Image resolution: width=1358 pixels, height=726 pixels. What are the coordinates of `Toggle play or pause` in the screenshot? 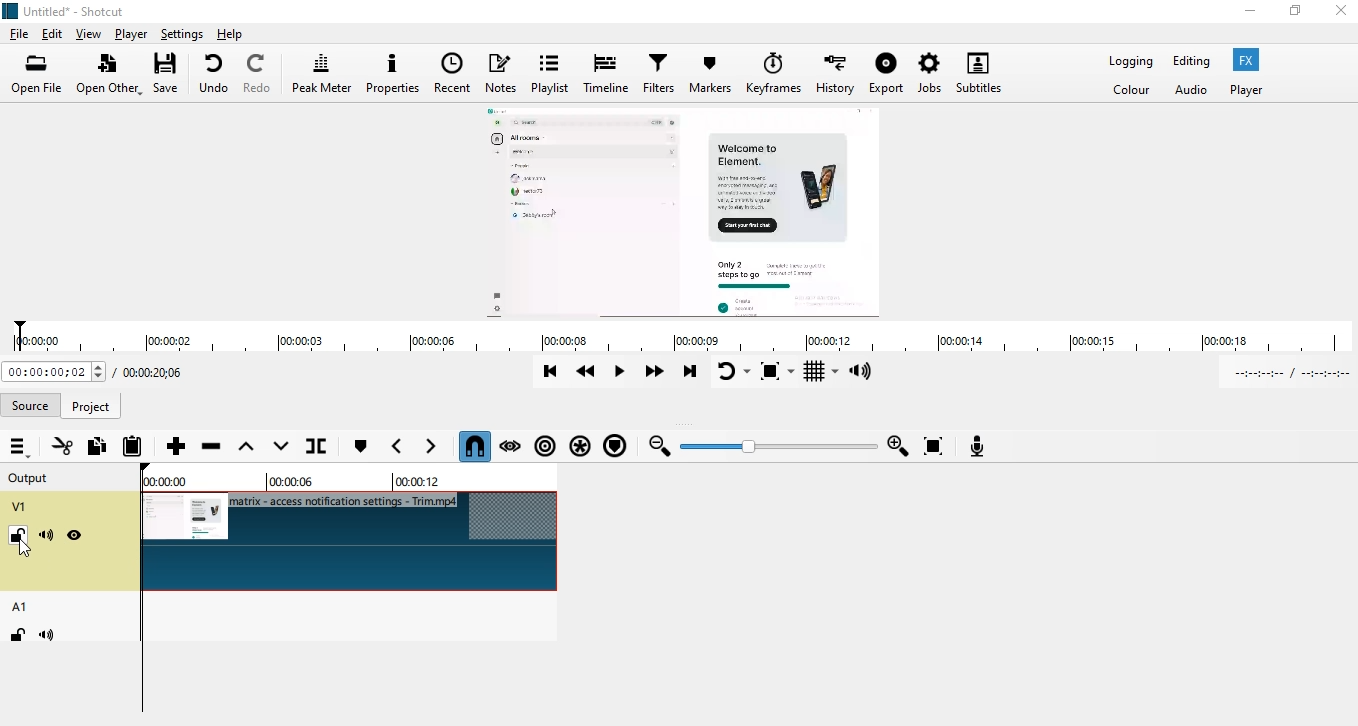 It's located at (621, 373).